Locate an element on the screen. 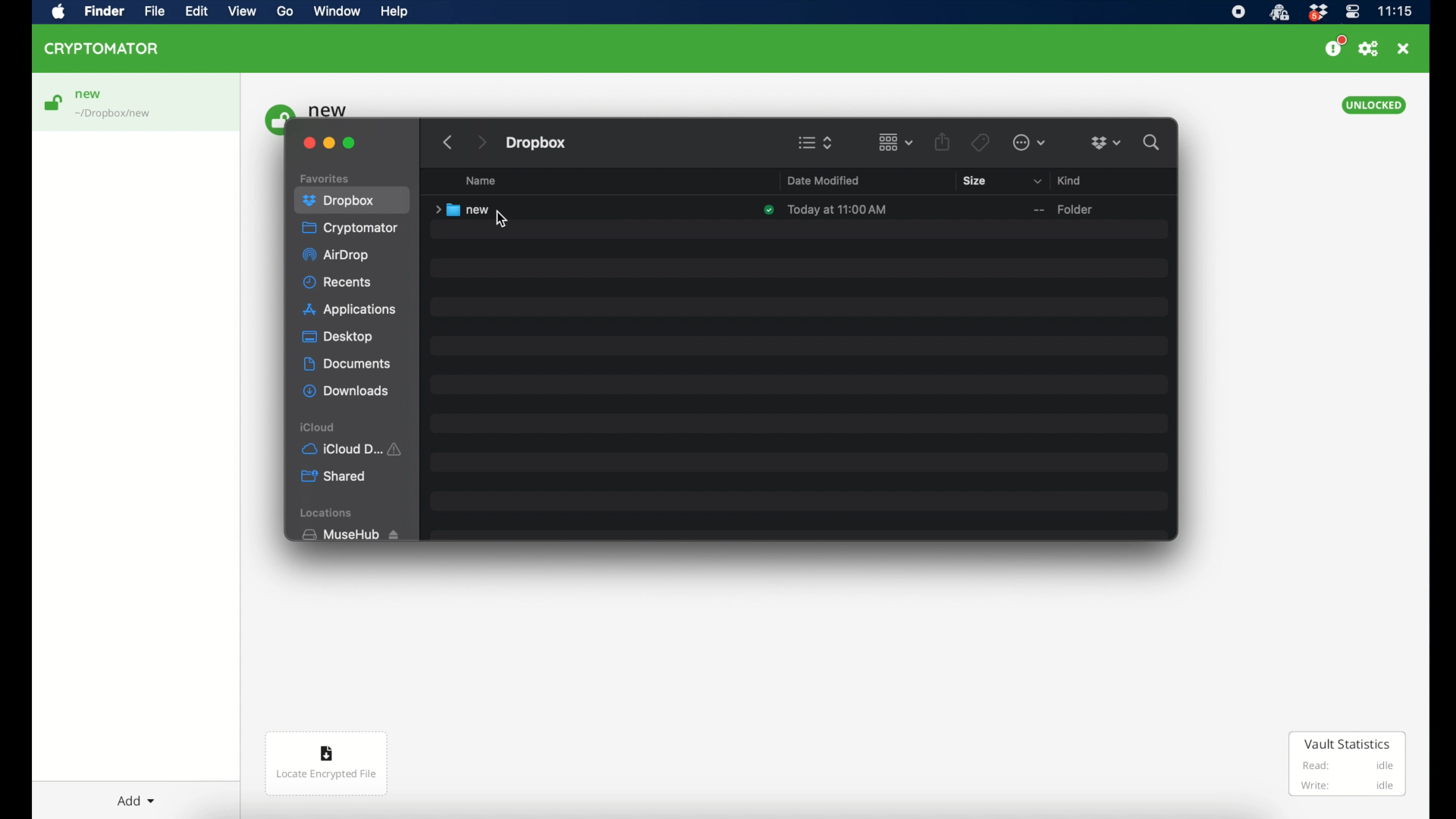 This screenshot has width=1456, height=819. size is located at coordinates (974, 180).